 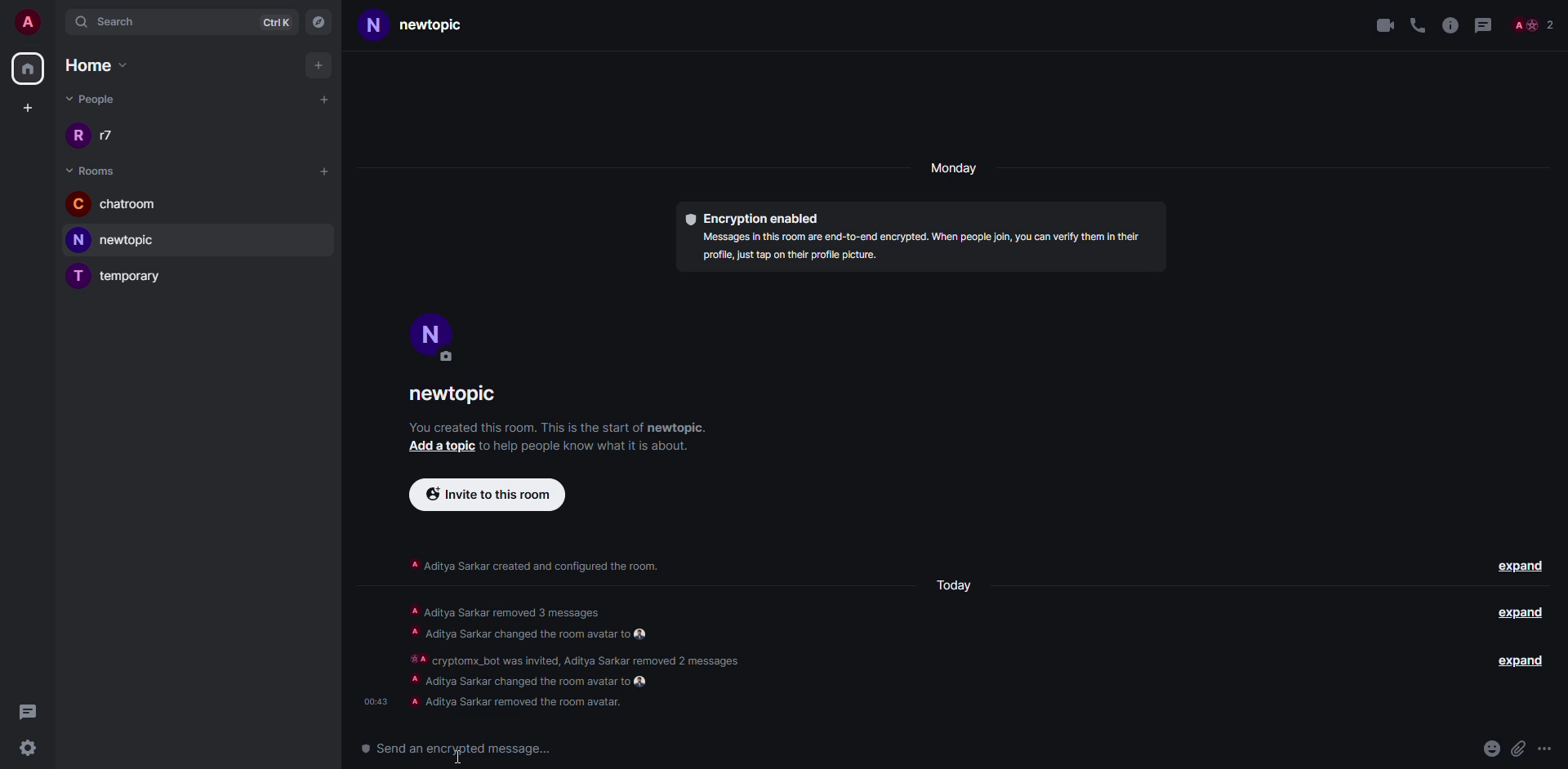 What do you see at coordinates (374, 696) in the screenshot?
I see `time` at bounding box center [374, 696].